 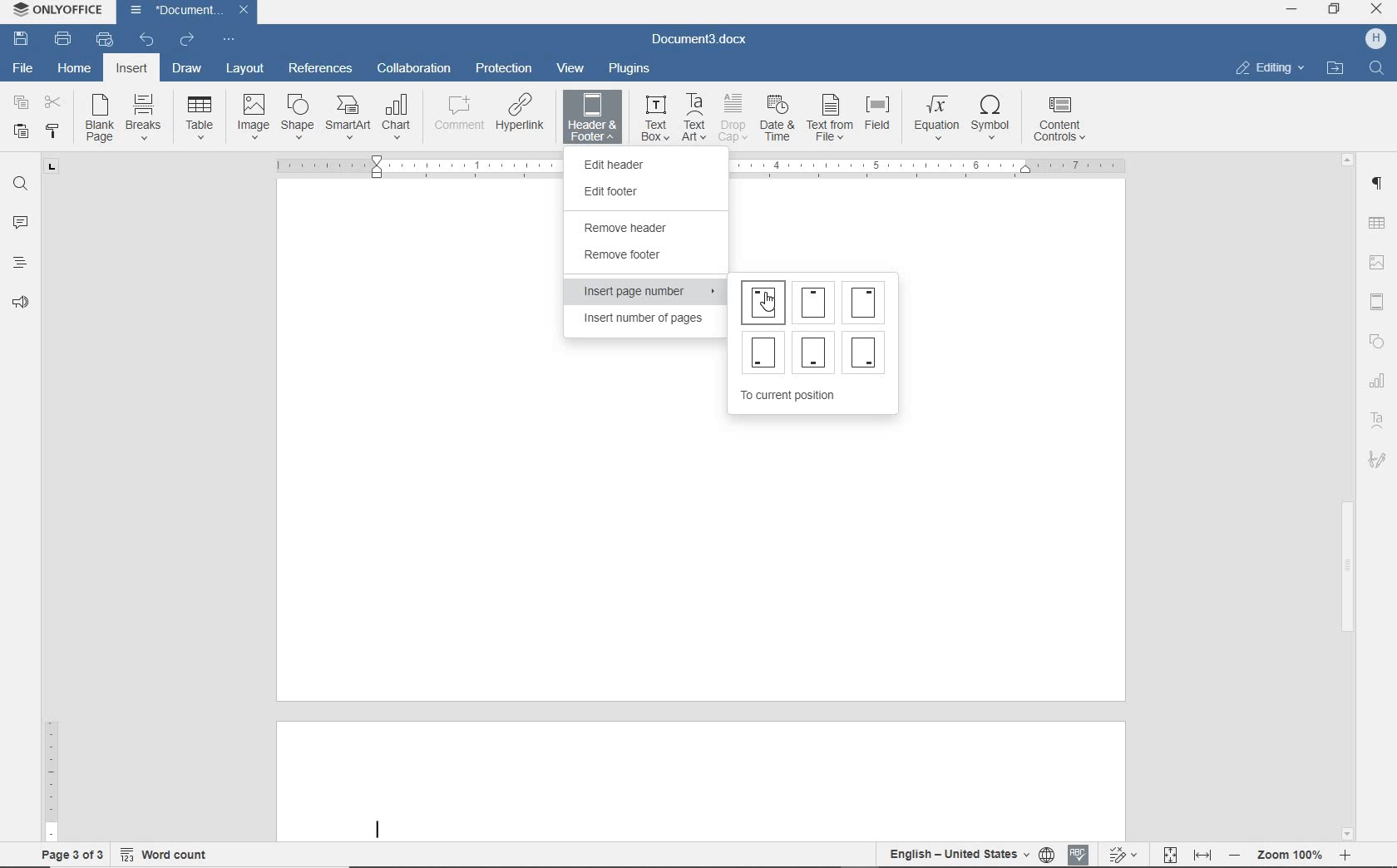 I want to click on Customize quick access toolbar, so click(x=233, y=37).